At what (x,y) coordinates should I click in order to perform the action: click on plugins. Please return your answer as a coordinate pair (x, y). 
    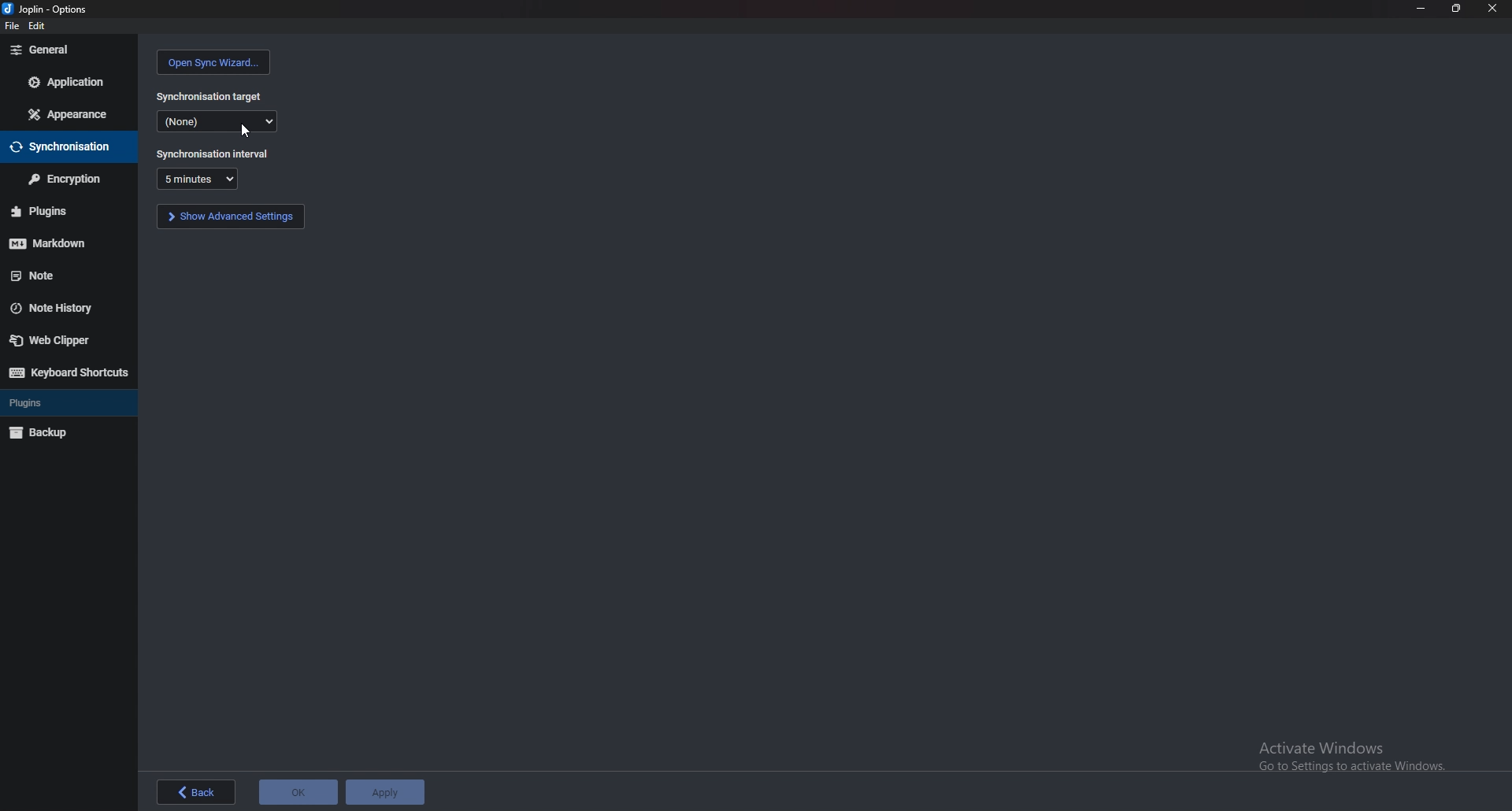
    Looking at the image, I should click on (40, 404).